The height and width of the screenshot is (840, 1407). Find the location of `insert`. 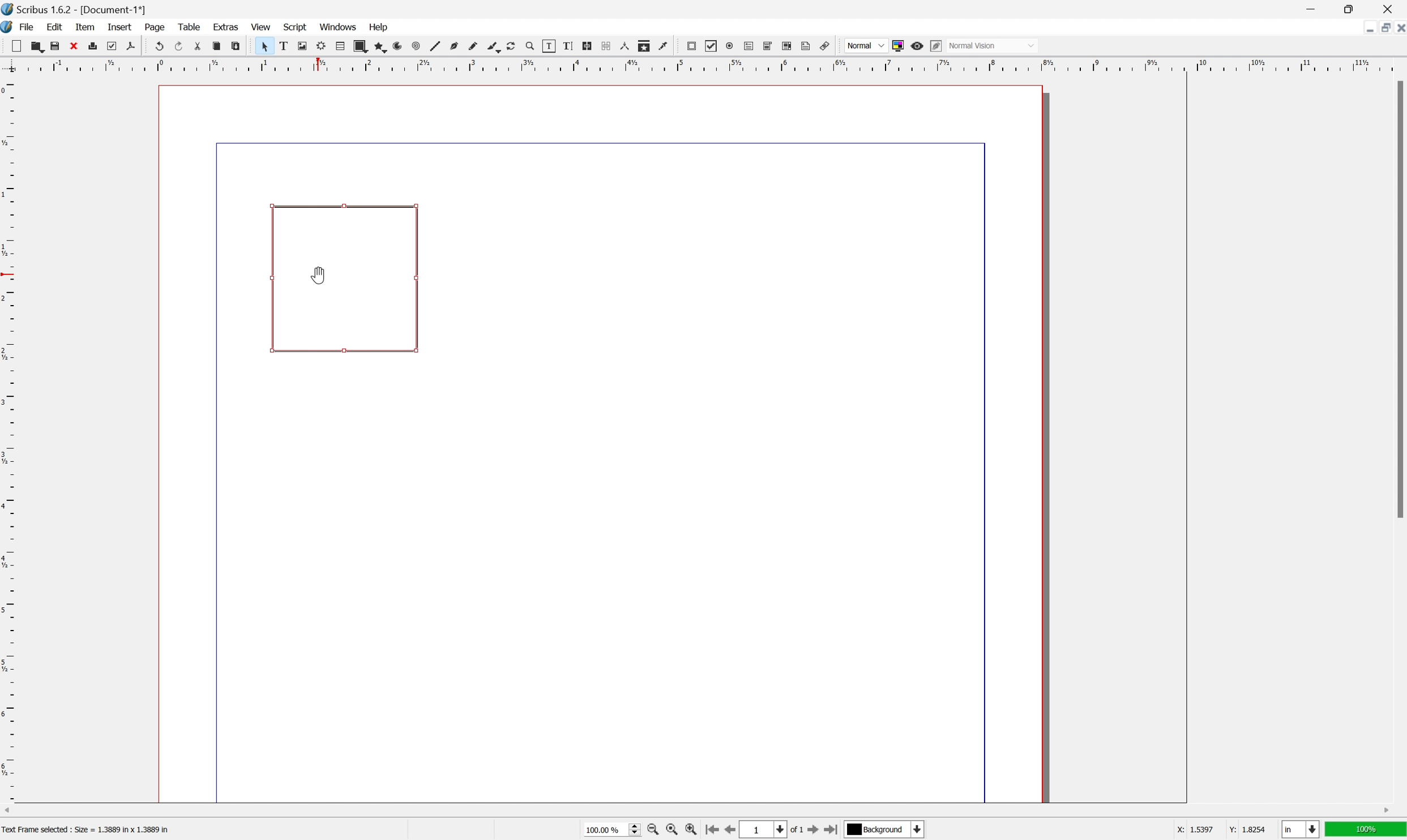

insert is located at coordinates (119, 25).